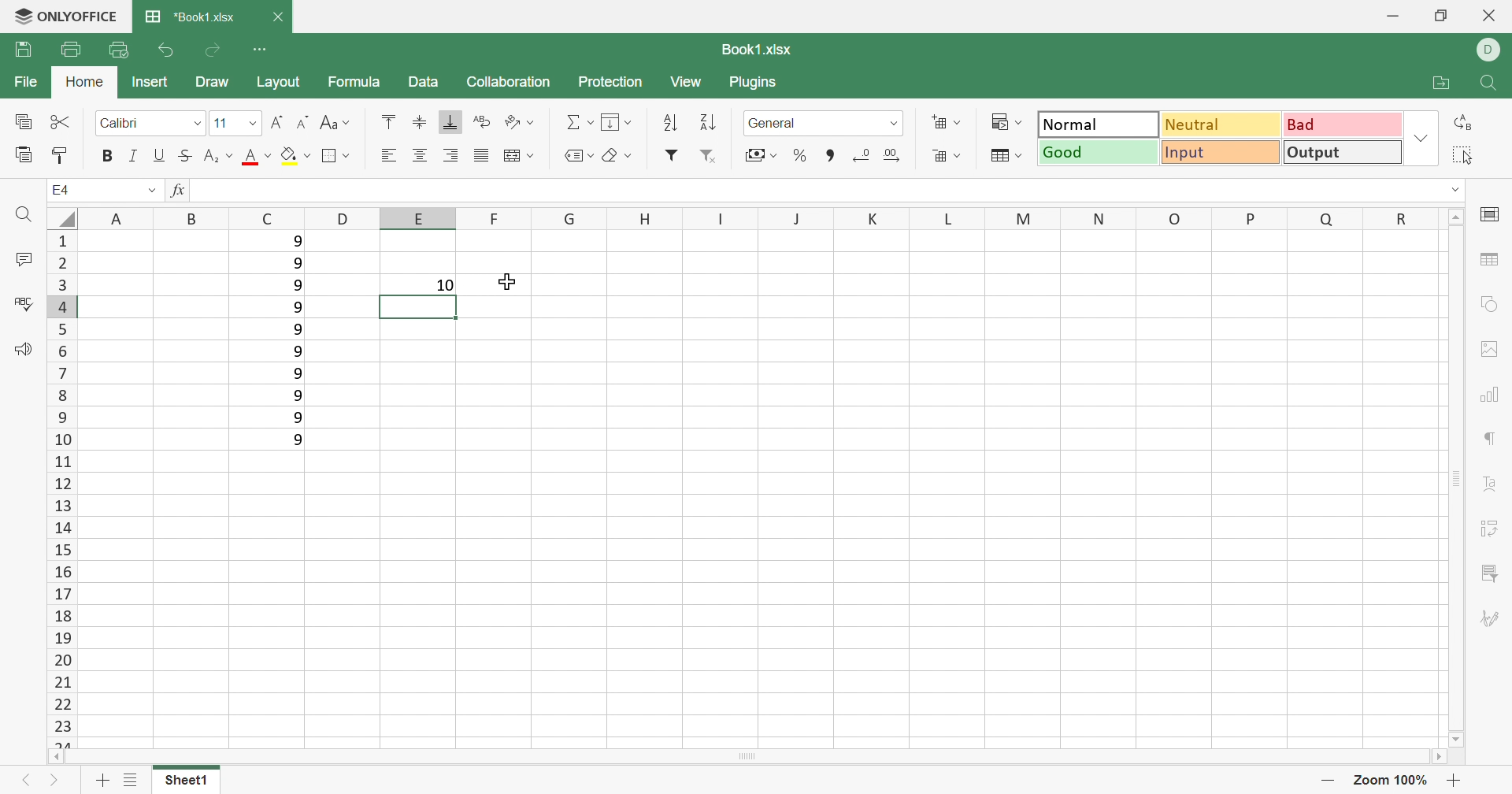 The height and width of the screenshot is (794, 1512). I want to click on 10, so click(440, 284).